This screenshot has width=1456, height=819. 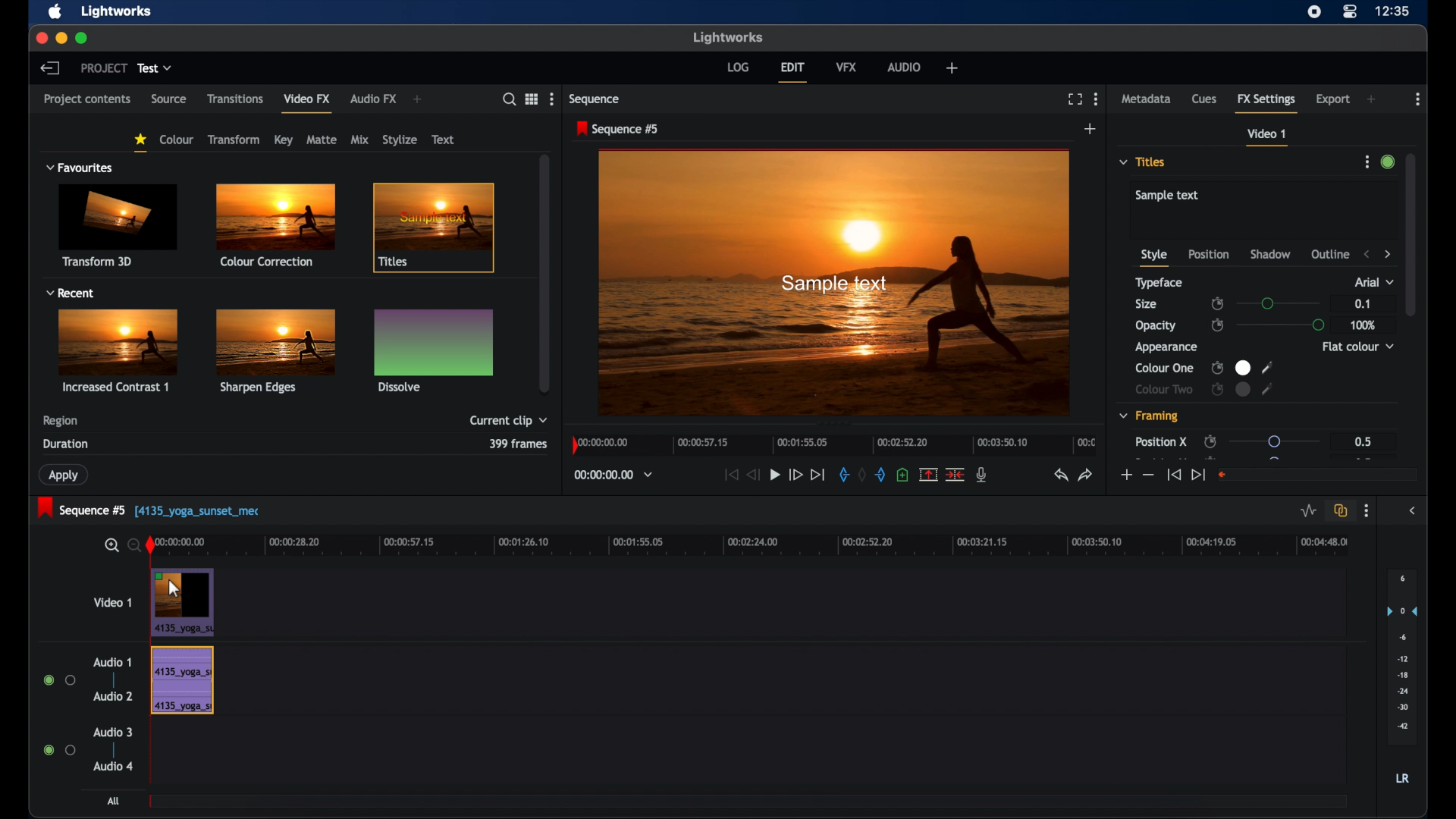 I want to click on redo, so click(x=1087, y=475).